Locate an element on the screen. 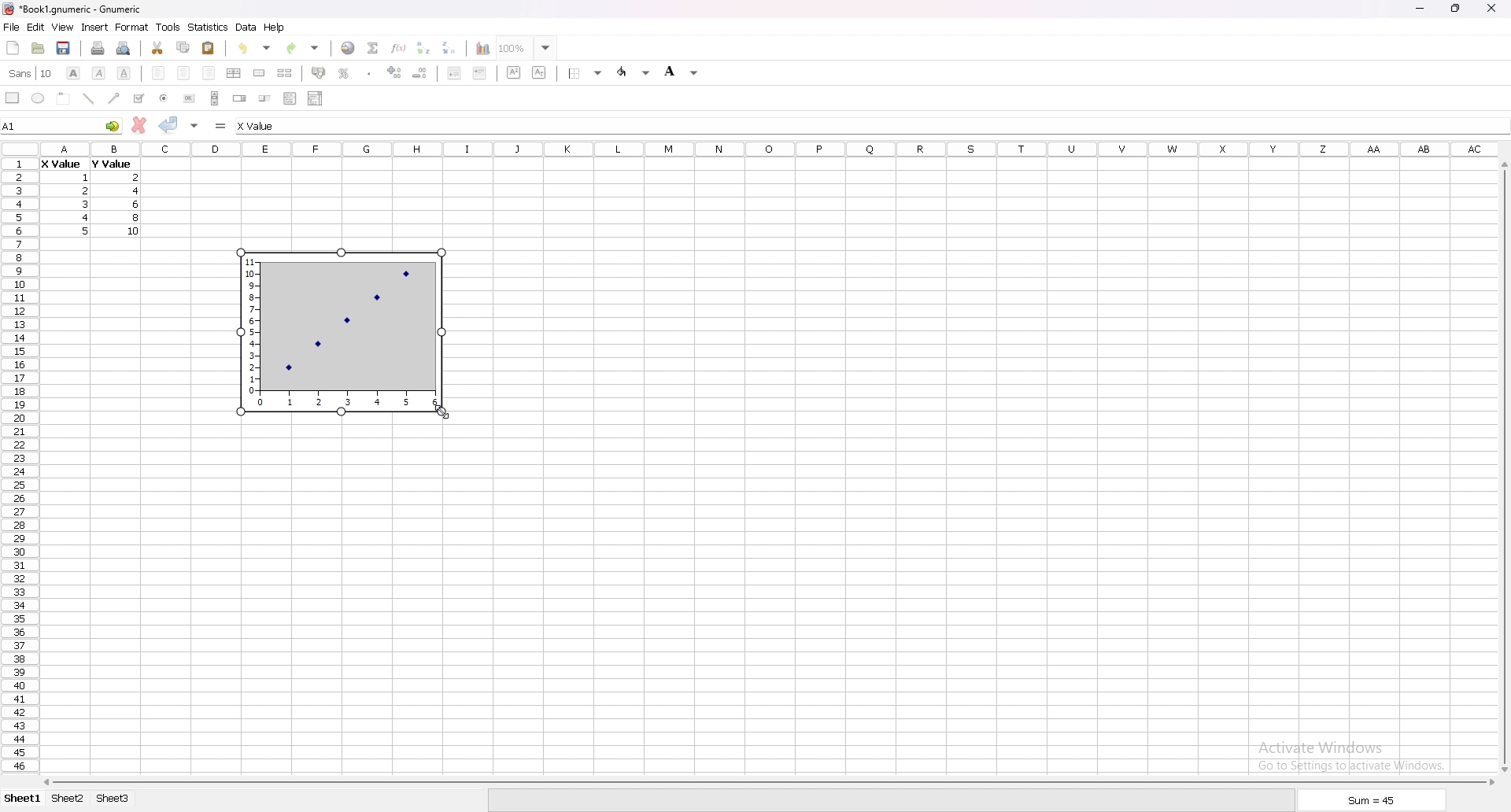 Image resolution: width=1511 pixels, height=812 pixels. print preview is located at coordinates (124, 48).